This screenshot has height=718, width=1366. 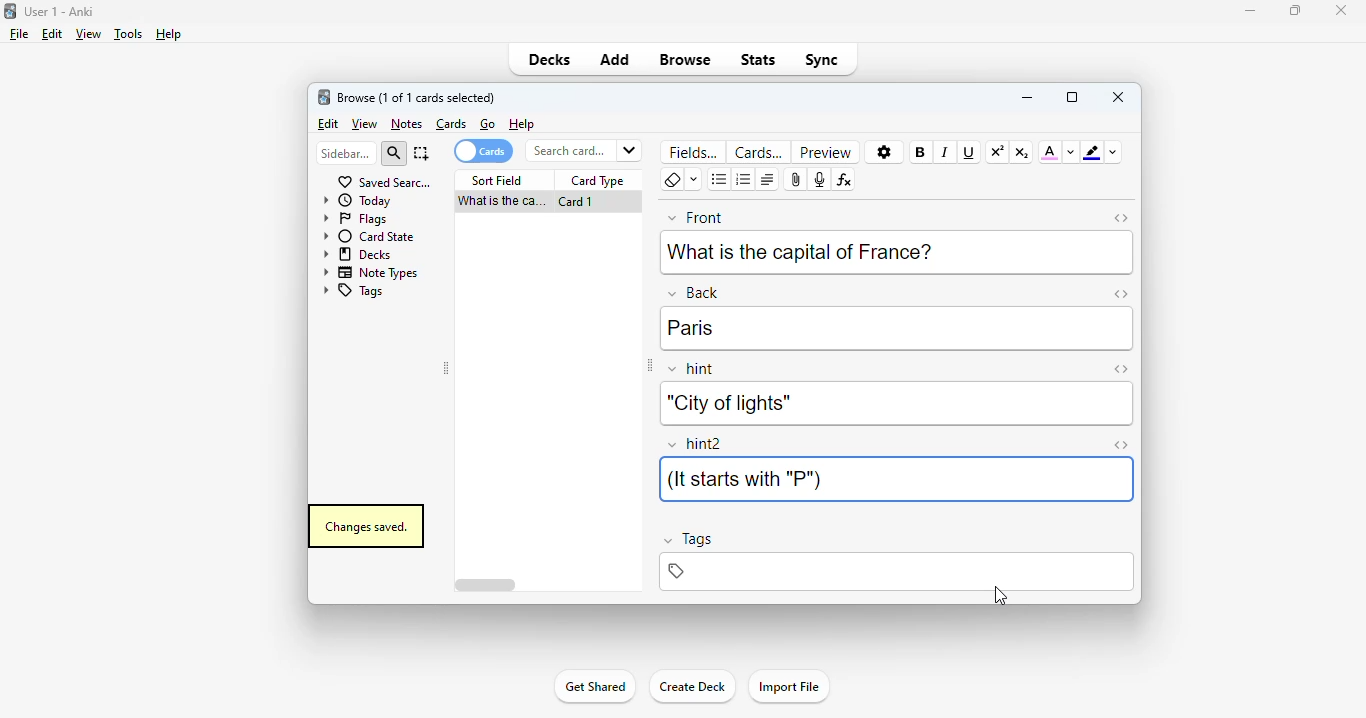 I want to click on change color, so click(x=1071, y=152).